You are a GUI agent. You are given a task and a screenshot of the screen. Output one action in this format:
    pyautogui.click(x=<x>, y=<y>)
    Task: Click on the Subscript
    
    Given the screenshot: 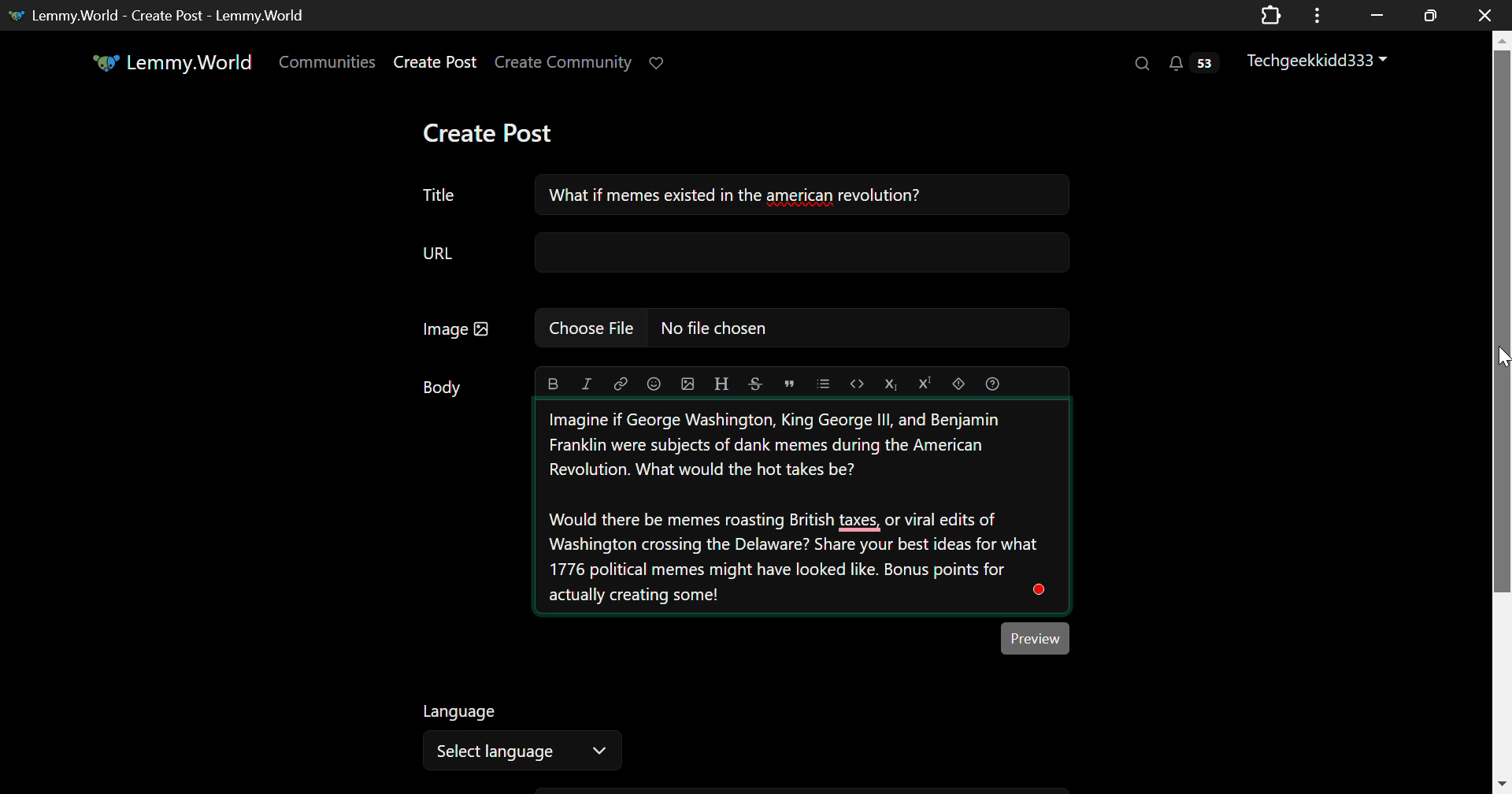 What is the action you would take?
    pyautogui.click(x=892, y=384)
    